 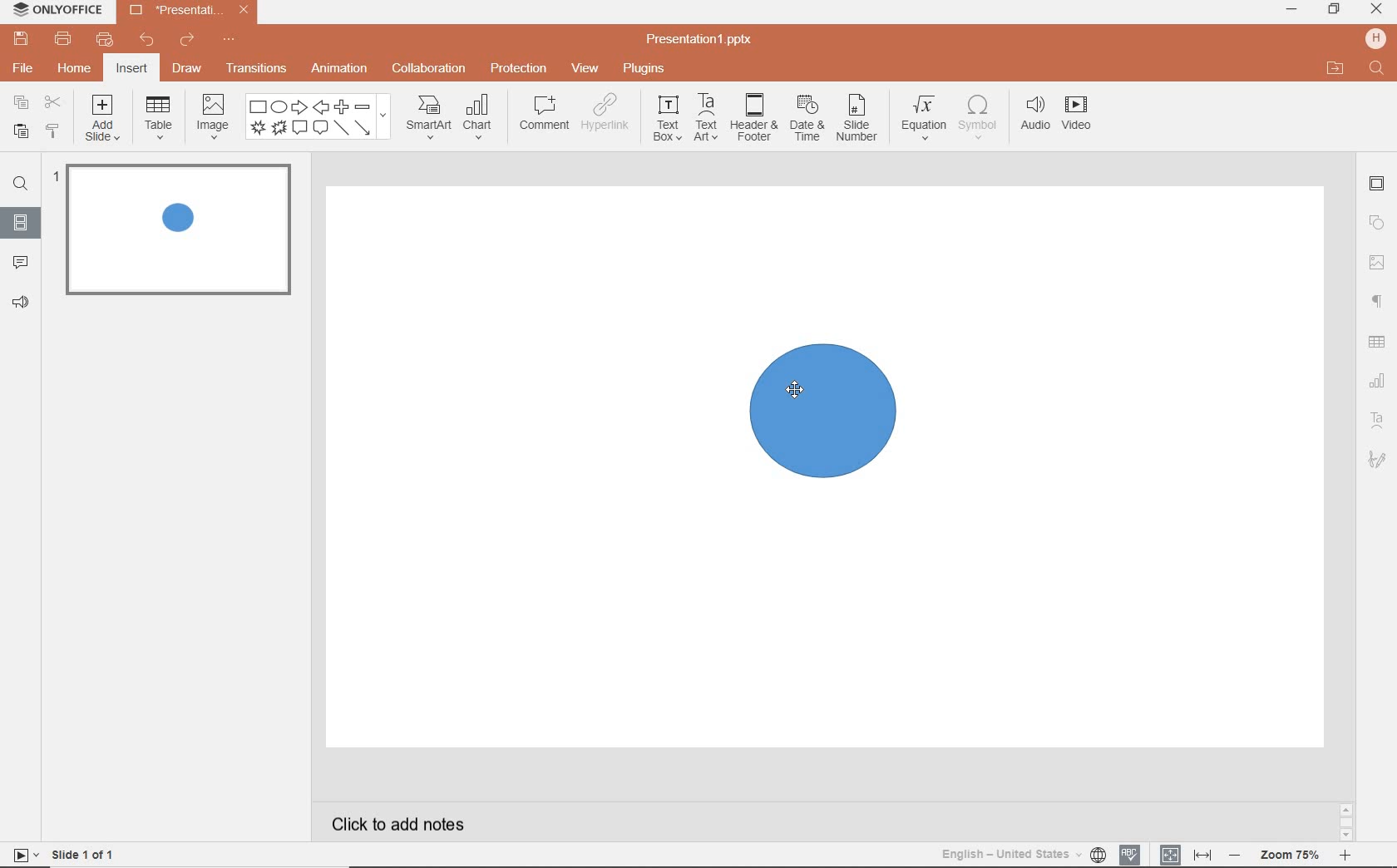 I want to click on file, so click(x=22, y=67).